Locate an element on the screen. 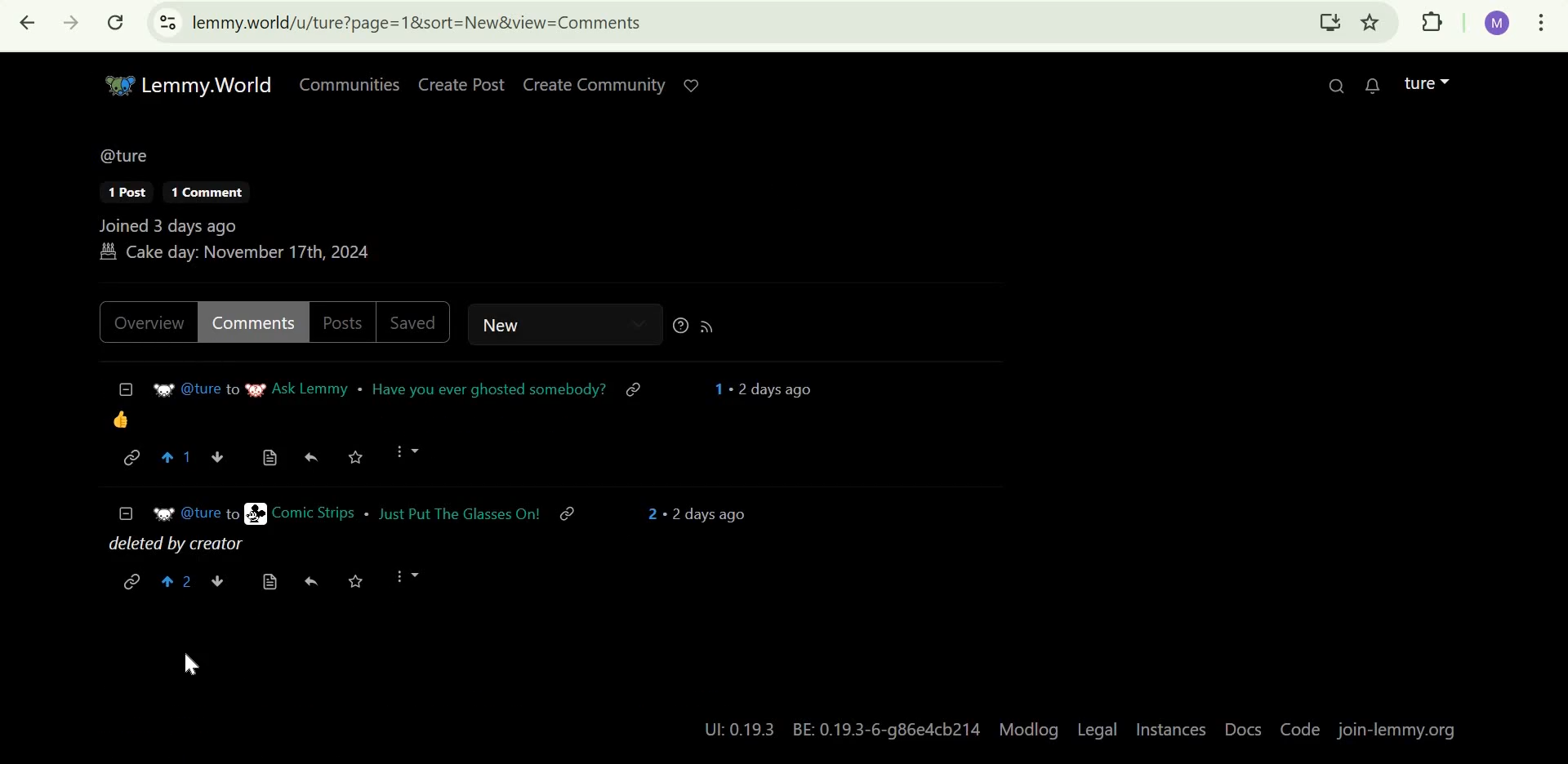  more is located at coordinates (408, 578).